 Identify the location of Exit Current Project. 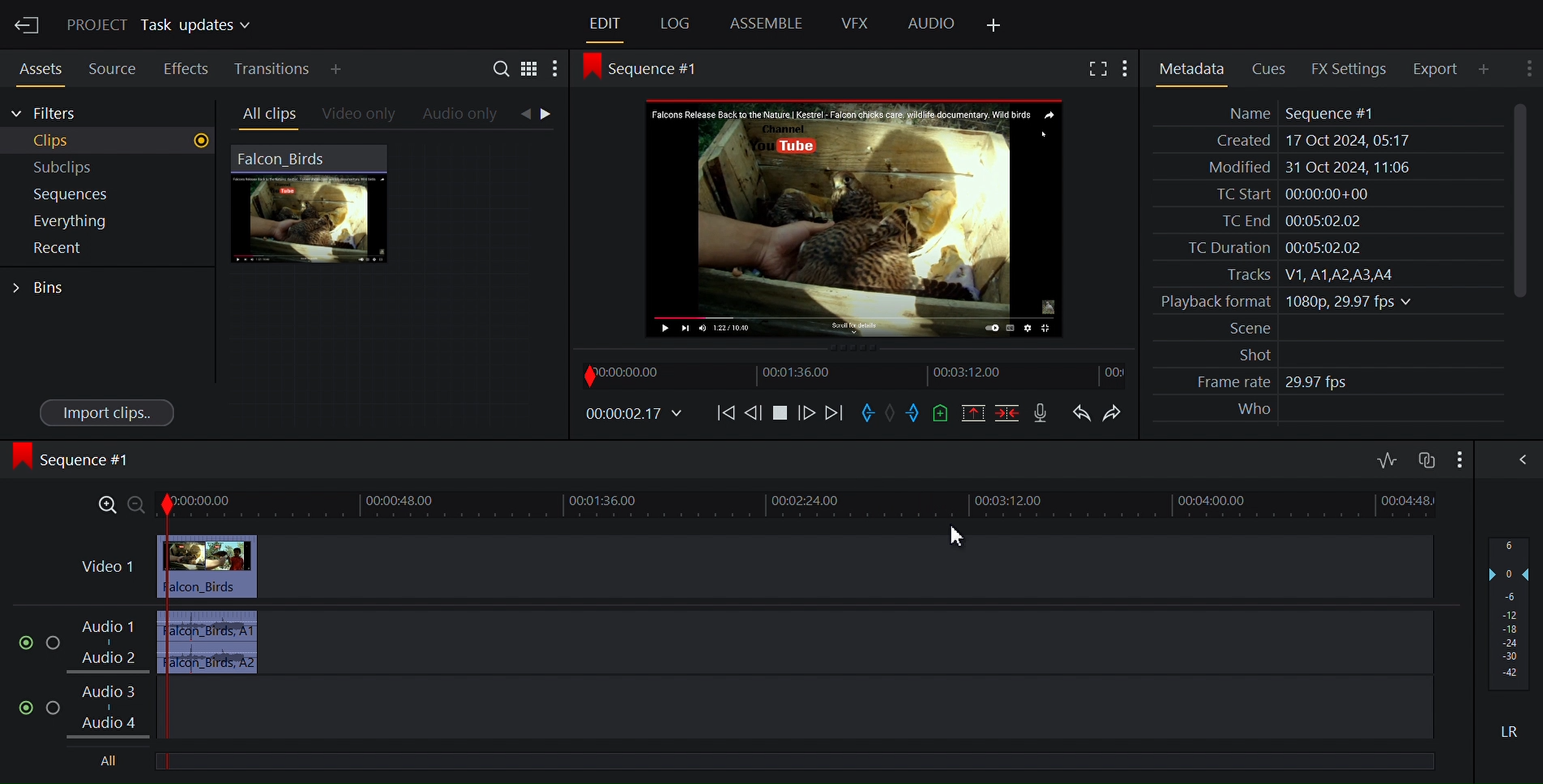
(28, 26).